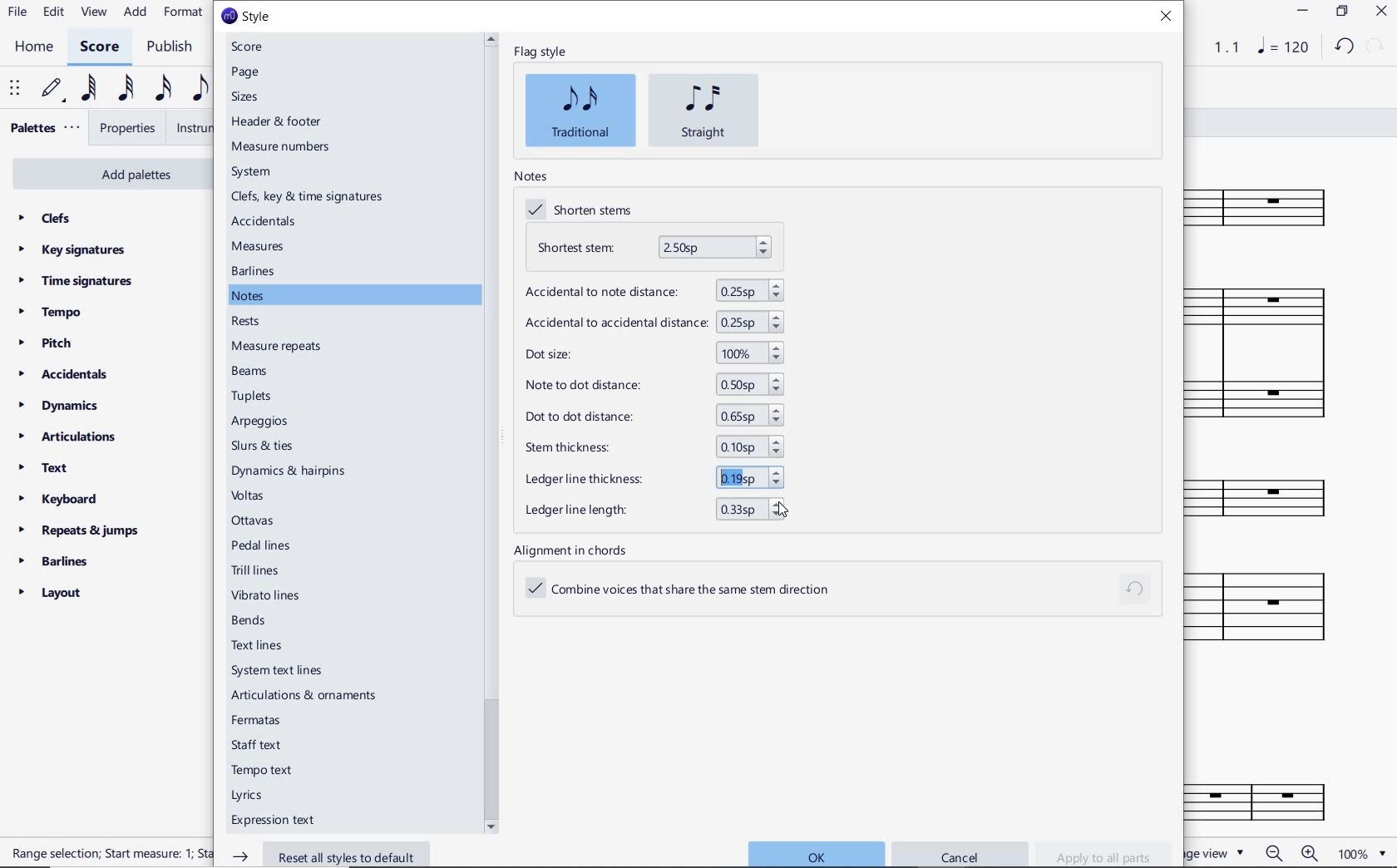  What do you see at coordinates (1302, 13) in the screenshot?
I see `MINIMIZE` at bounding box center [1302, 13].